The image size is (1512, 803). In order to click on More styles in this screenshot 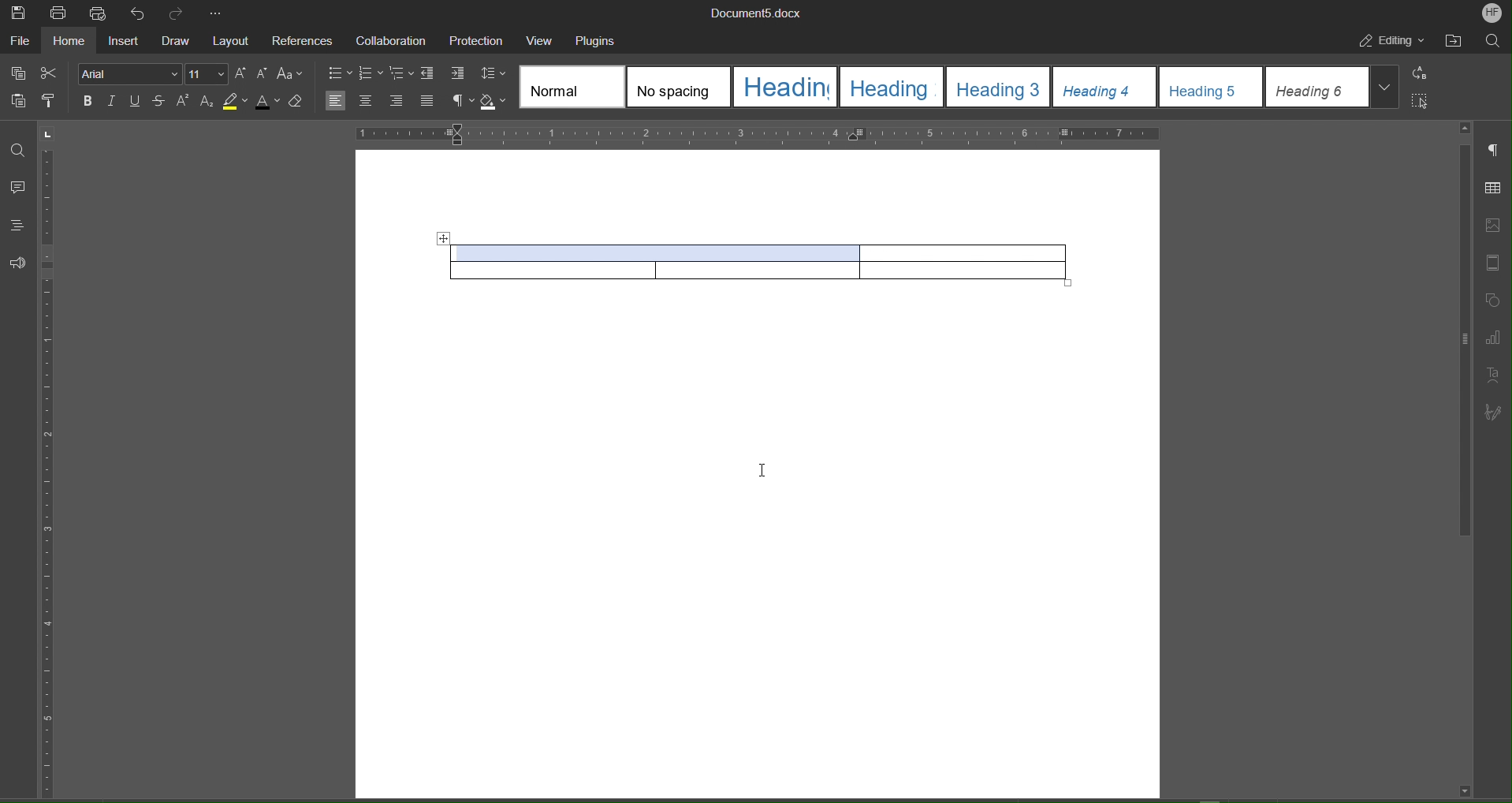, I will do `click(1385, 85)`.